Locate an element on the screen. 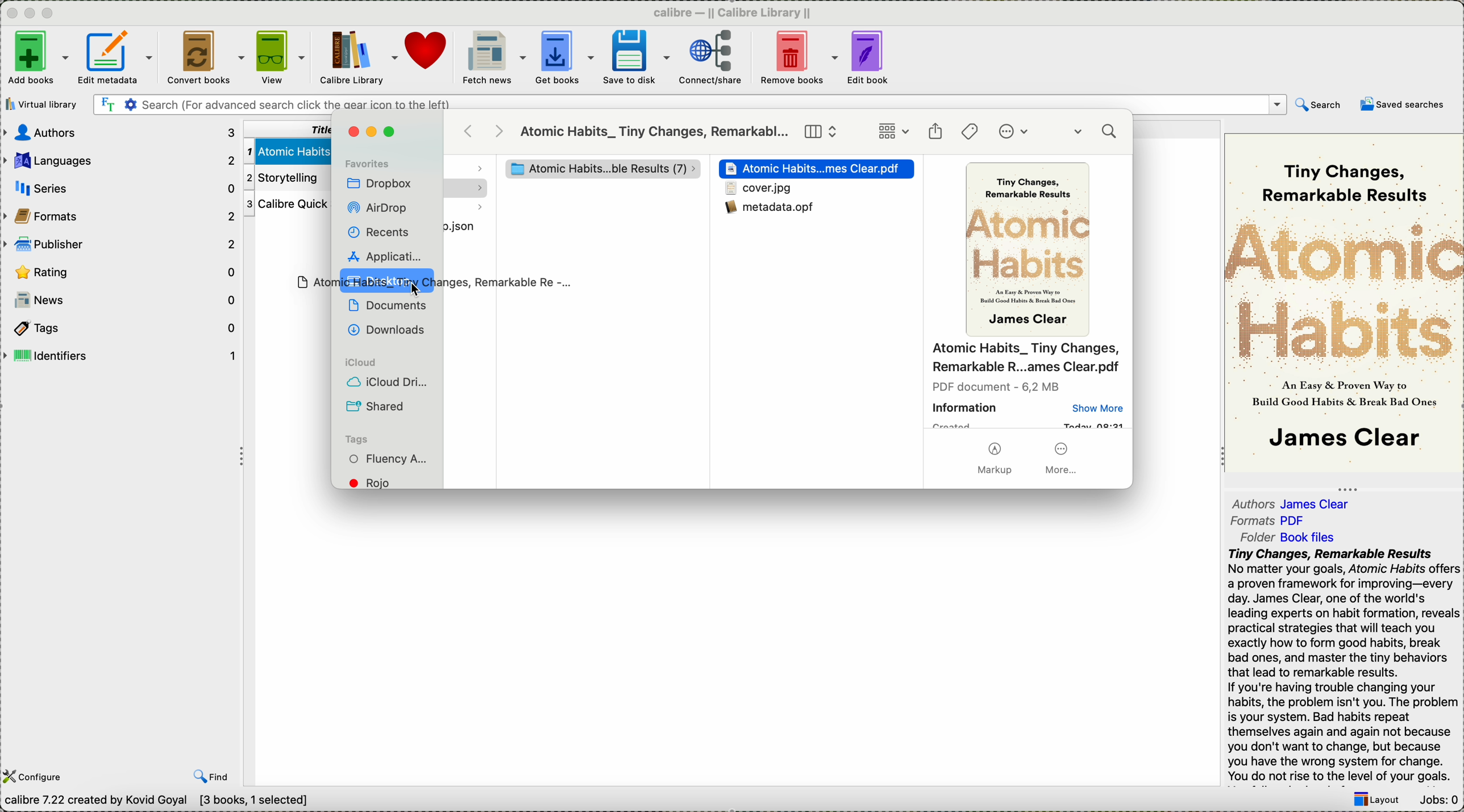 The image size is (1464, 812). book cover preview is located at coordinates (1030, 251).